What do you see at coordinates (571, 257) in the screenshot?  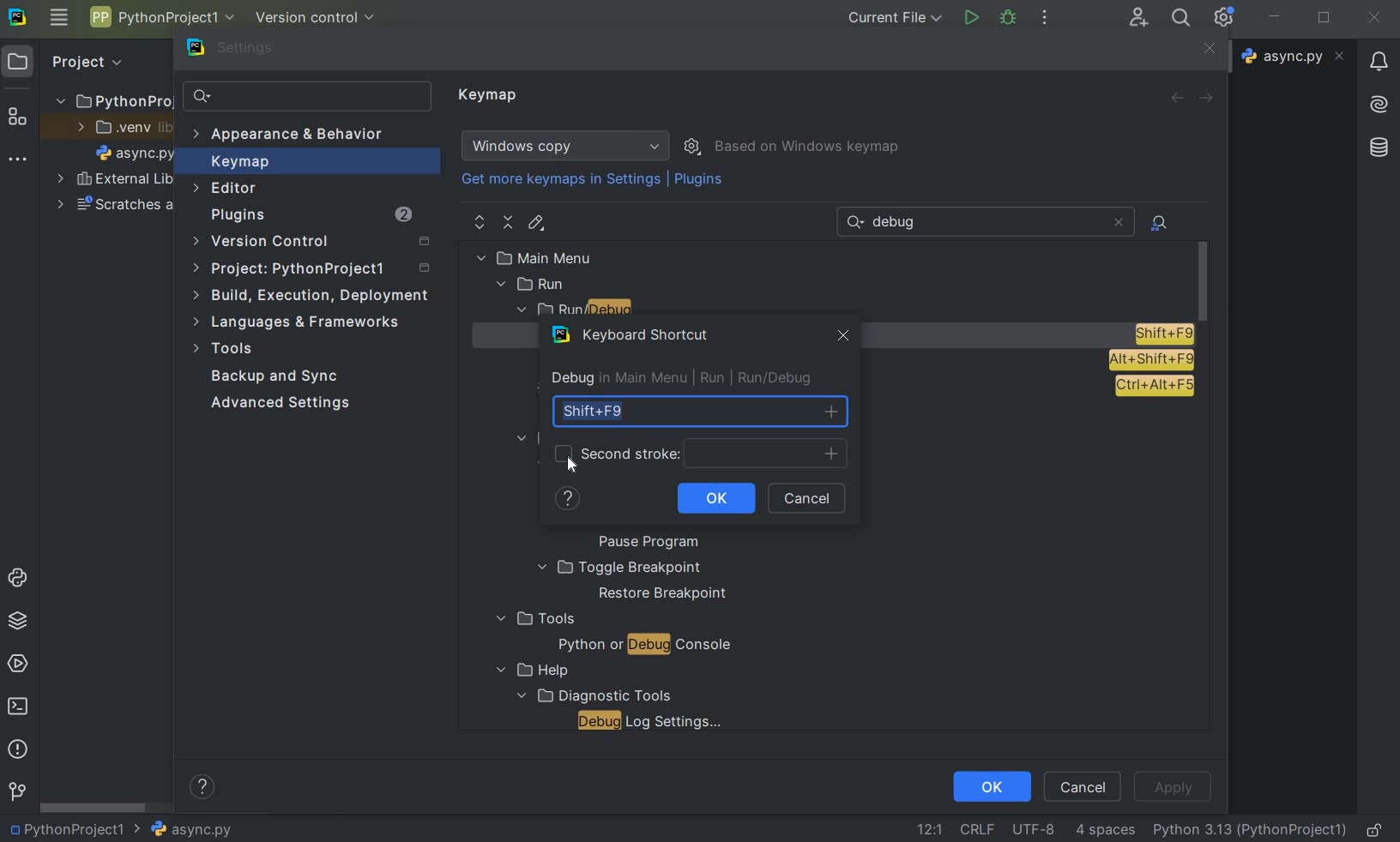 I see `main menu` at bounding box center [571, 257].